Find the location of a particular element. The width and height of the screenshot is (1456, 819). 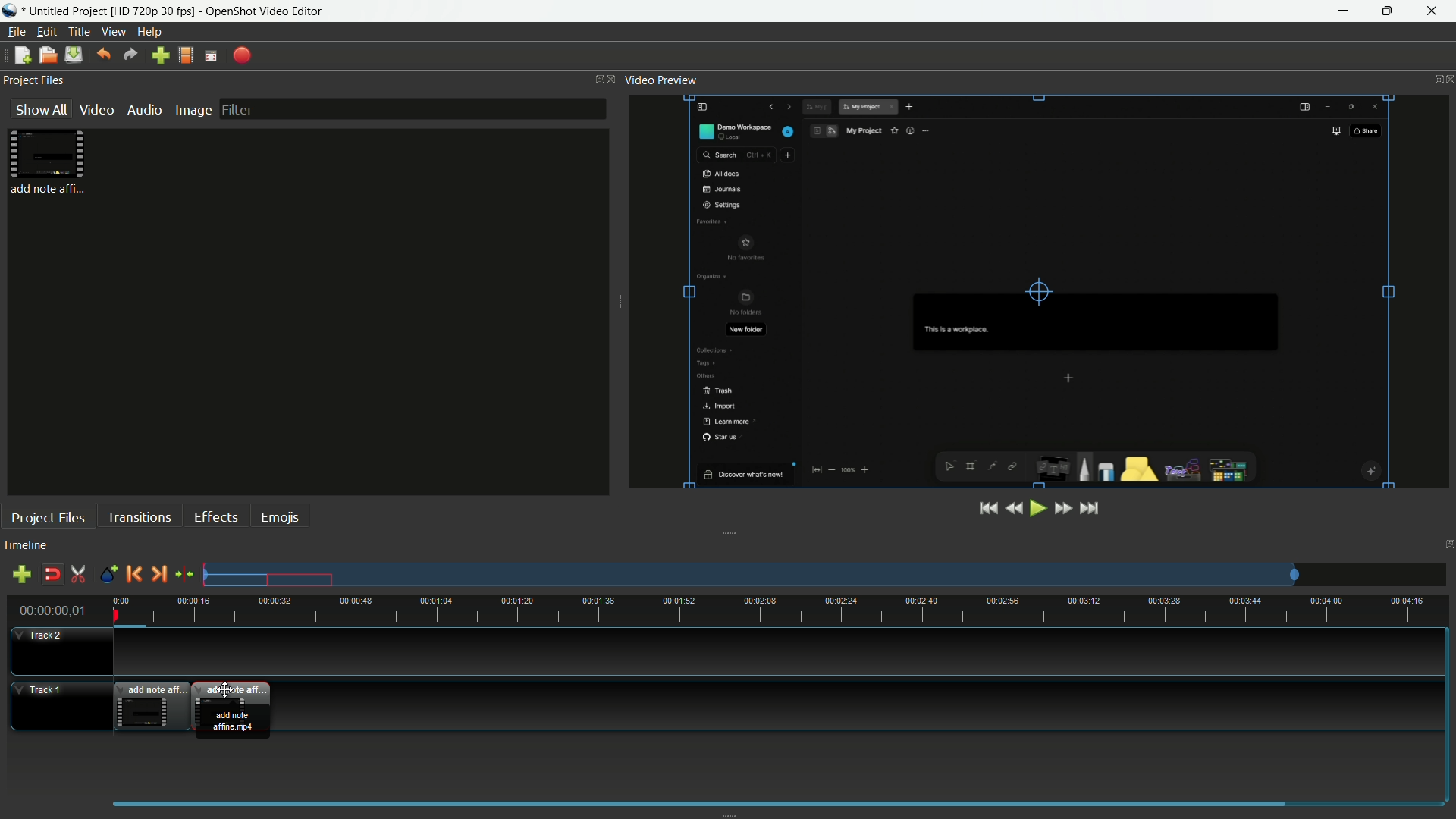

center the timeline on the playhead is located at coordinates (184, 573).